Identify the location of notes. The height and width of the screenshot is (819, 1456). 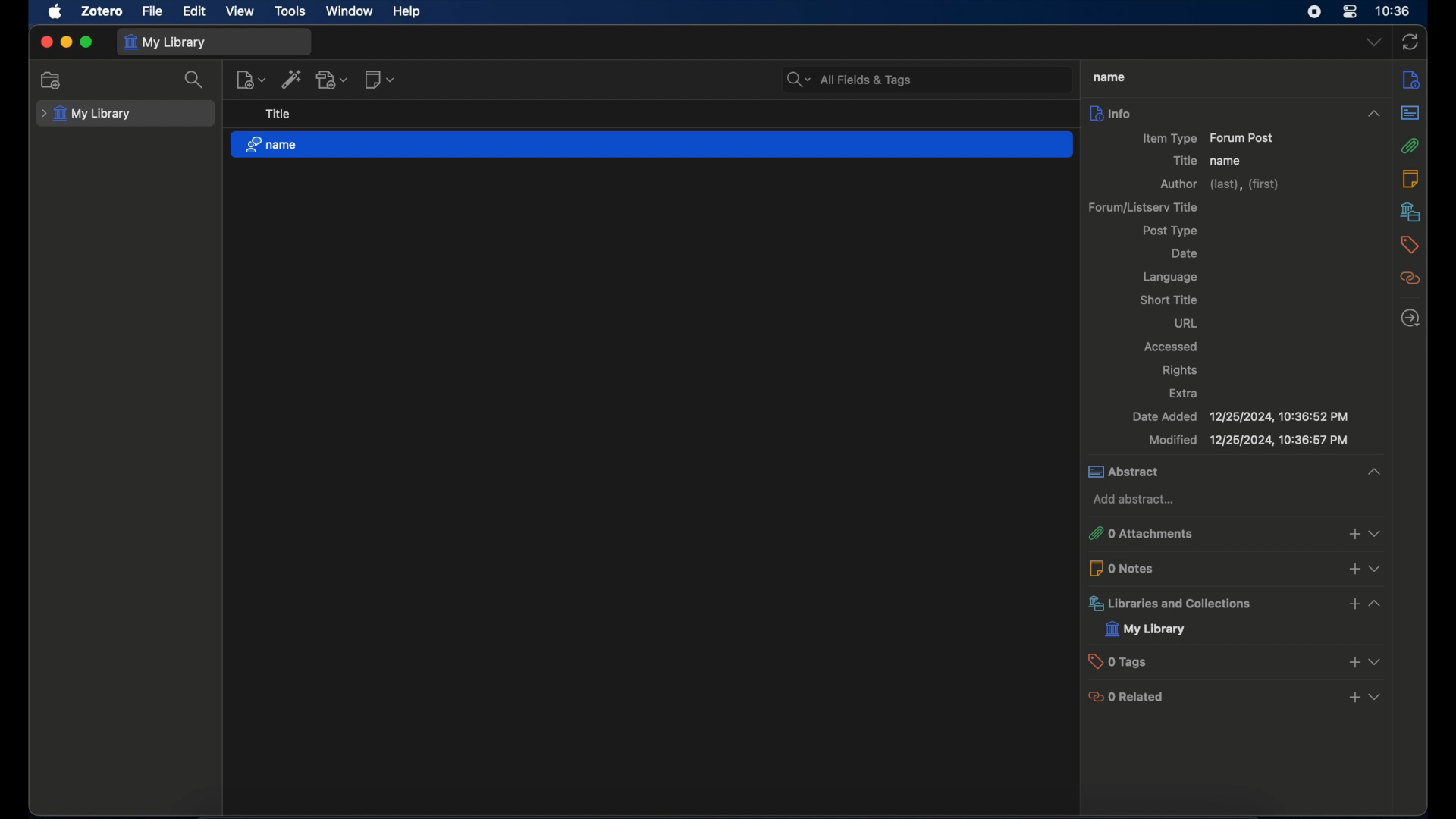
(1410, 178).